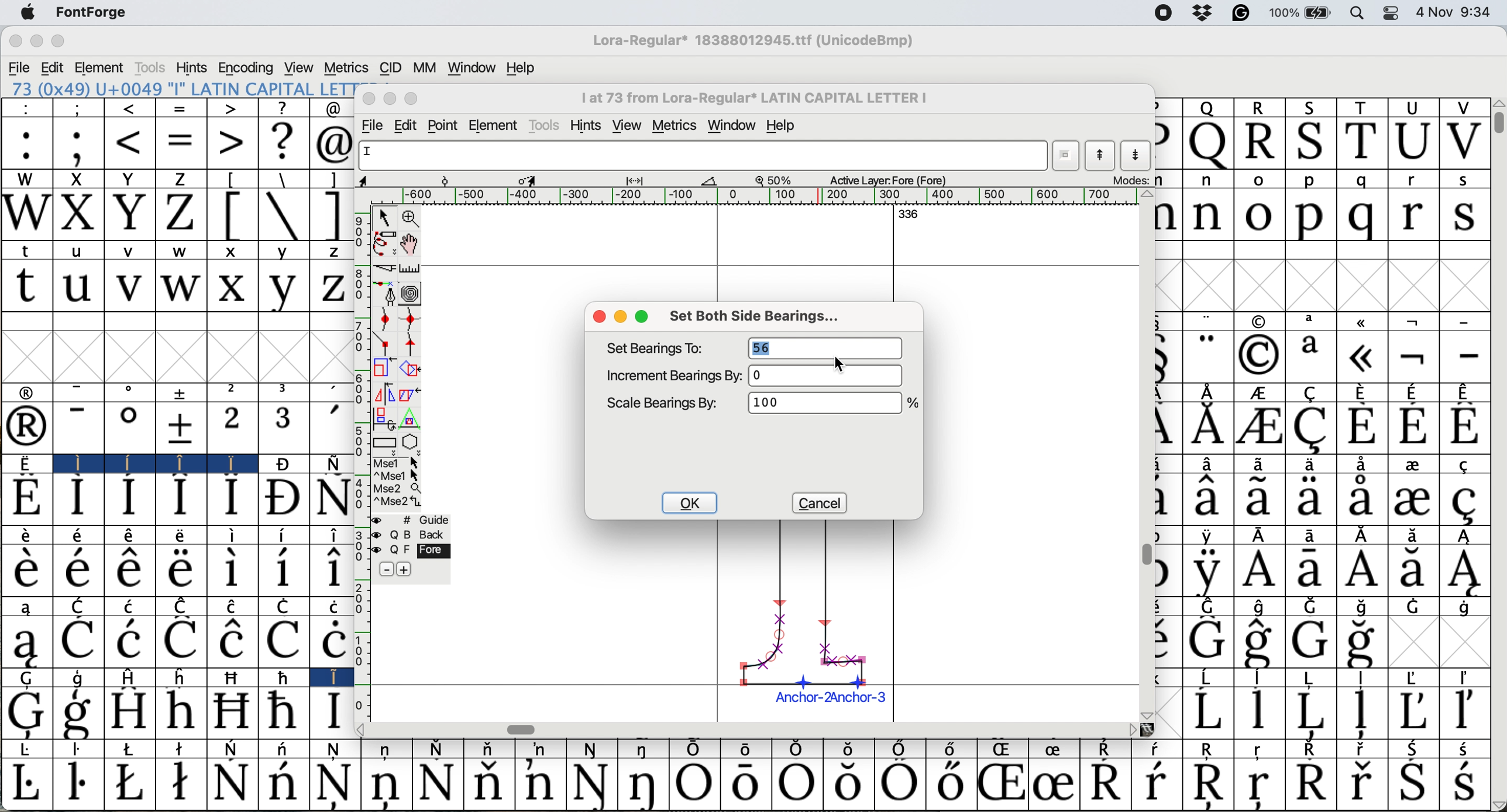  I want to click on a, so click(1315, 322).